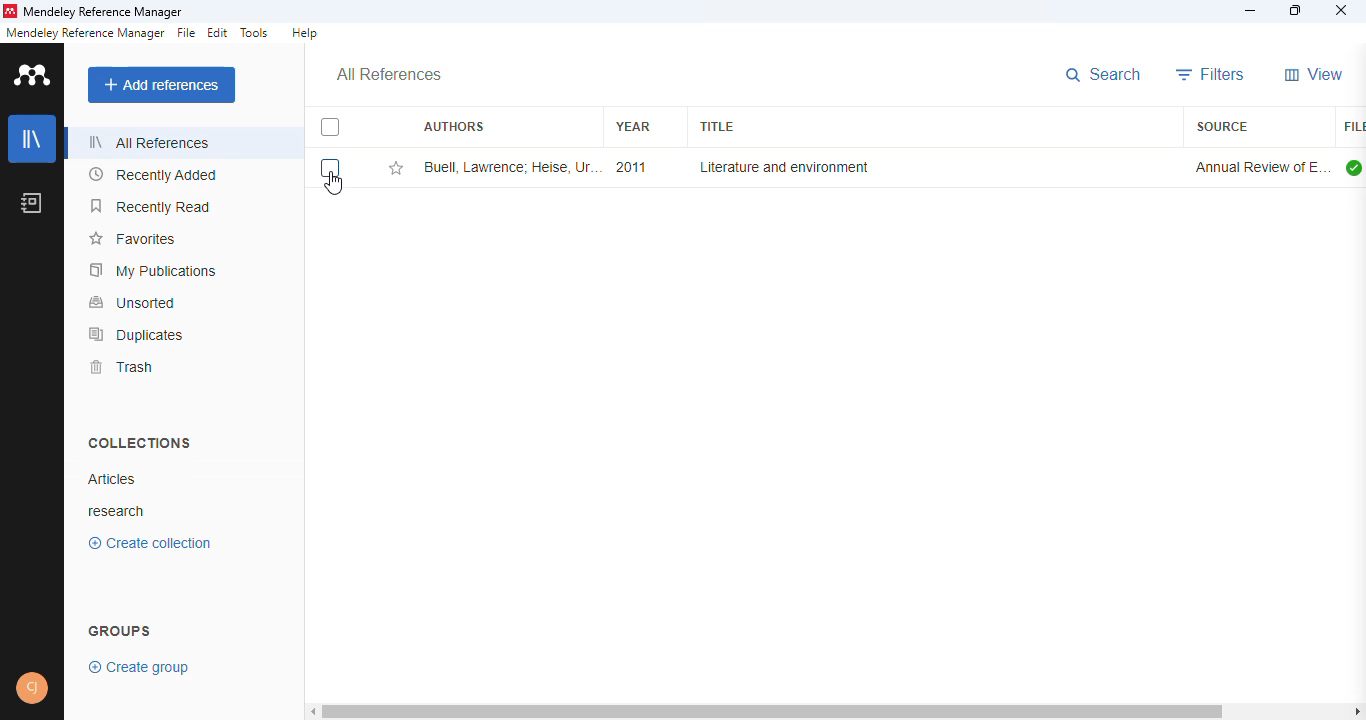 The width and height of the screenshot is (1366, 720). What do you see at coordinates (111, 479) in the screenshot?
I see `articles collection created` at bounding box center [111, 479].